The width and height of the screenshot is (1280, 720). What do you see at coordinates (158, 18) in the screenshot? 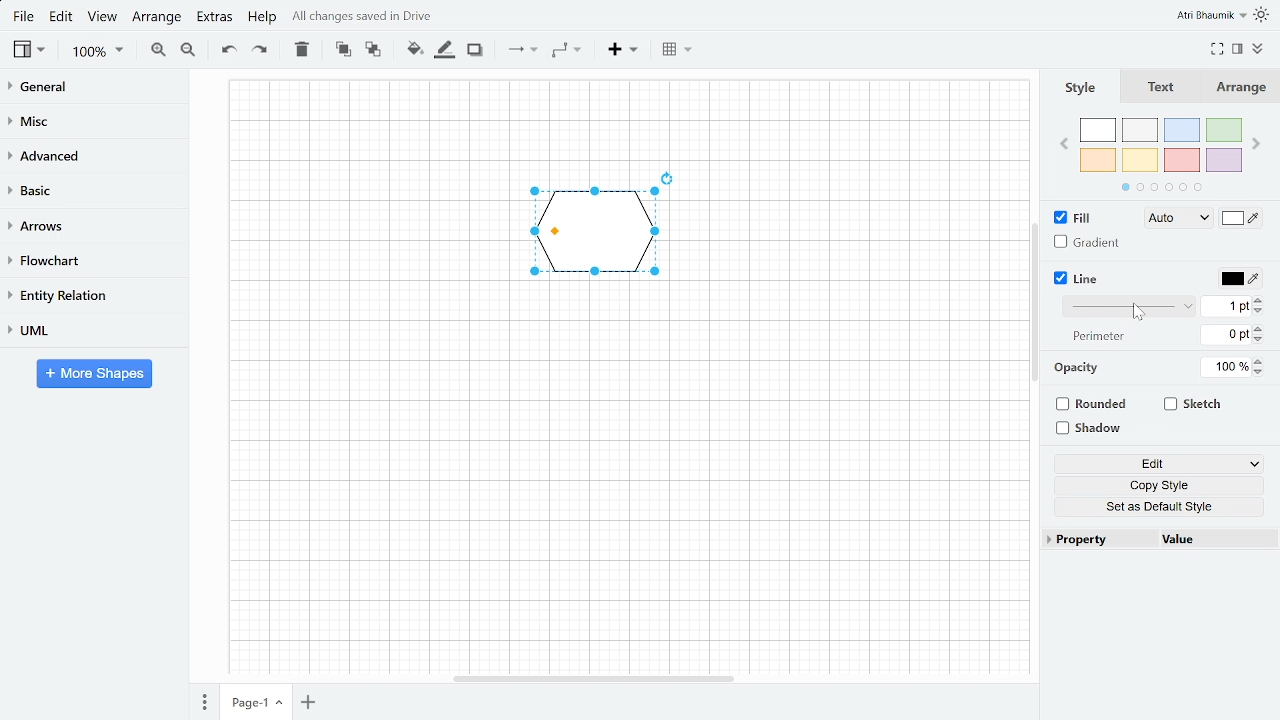
I see `Arrange` at bounding box center [158, 18].